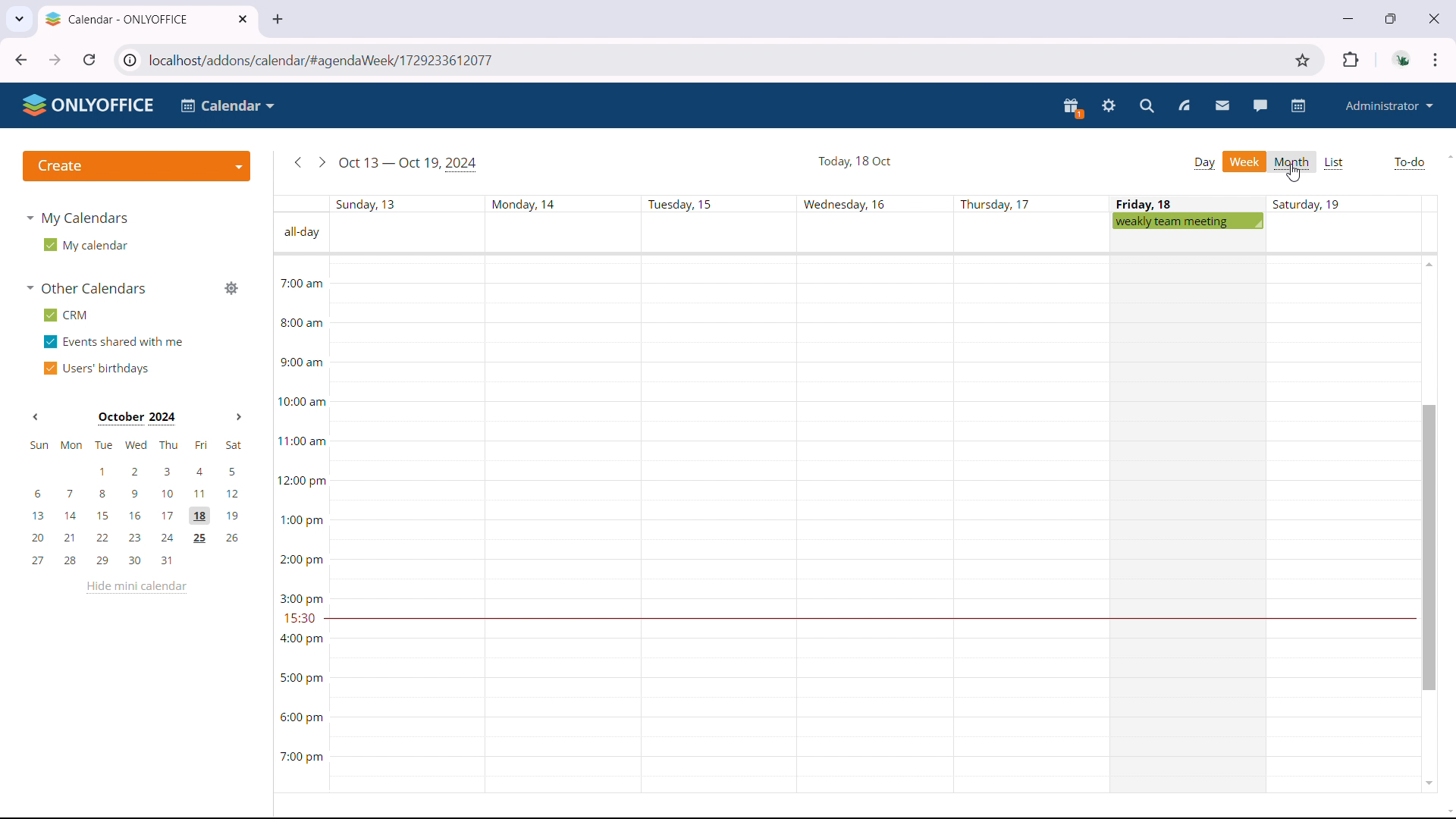 This screenshot has width=1456, height=819. Describe the element at coordinates (300, 522) in the screenshot. I see `Timeline for each day` at that location.